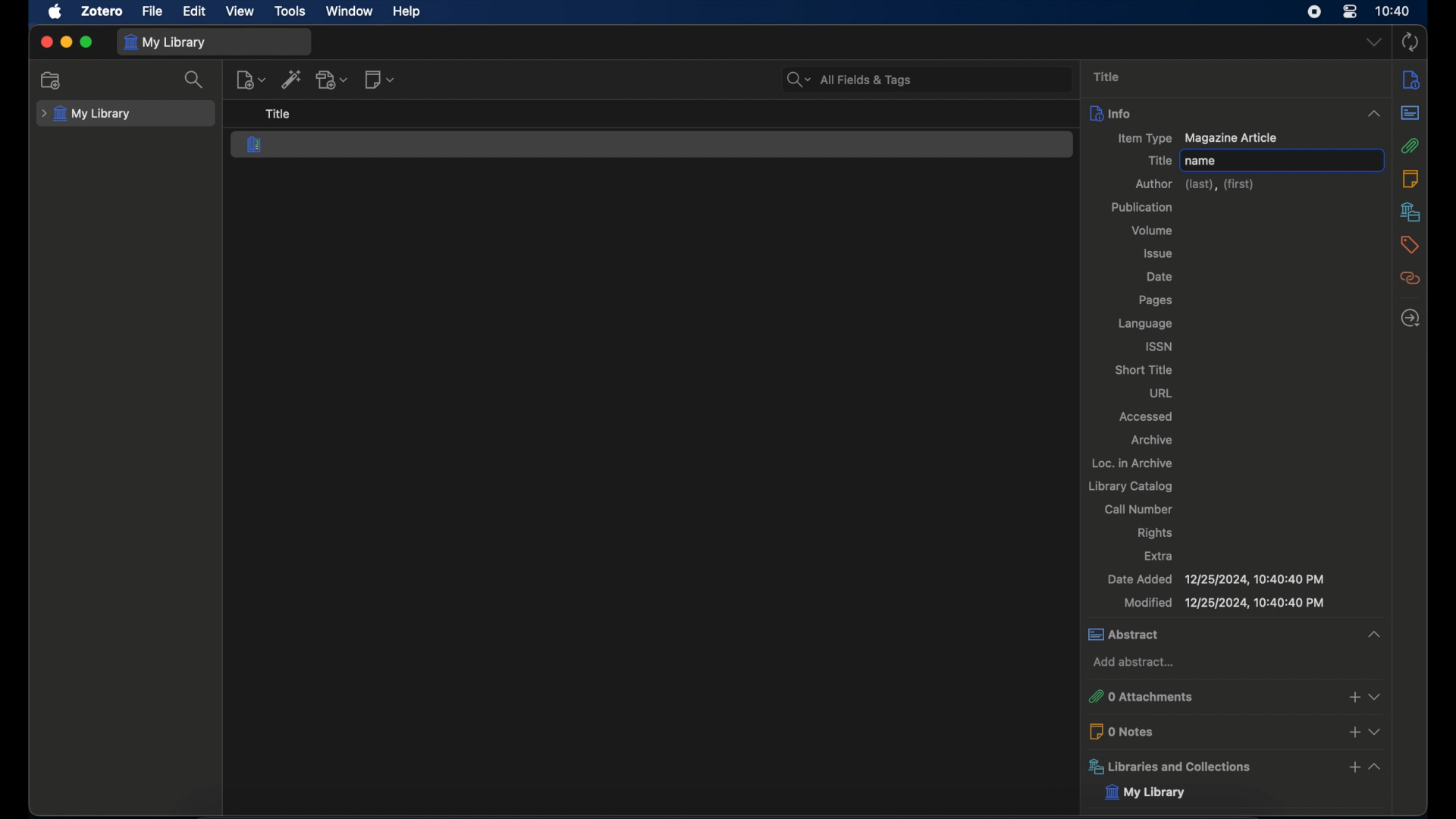 The image size is (1456, 819). I want to click on help, so click(406, 12).